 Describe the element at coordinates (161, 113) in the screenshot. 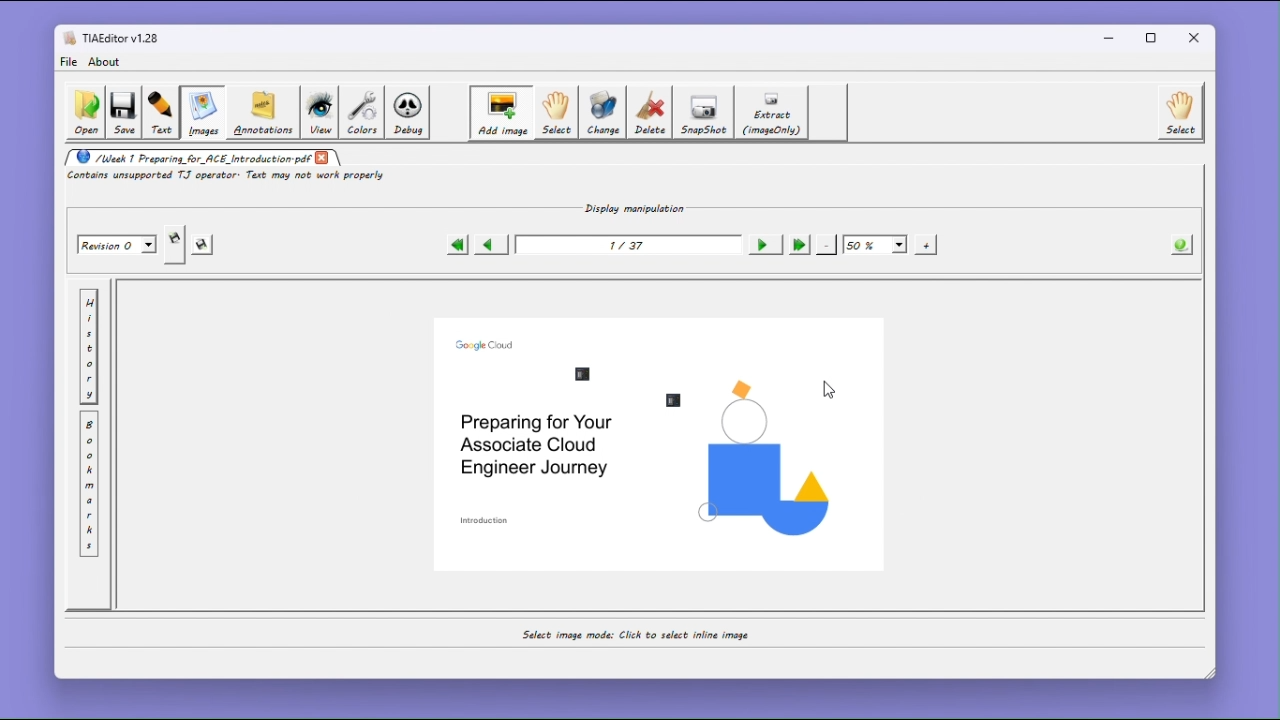

I see `Text` at that location.